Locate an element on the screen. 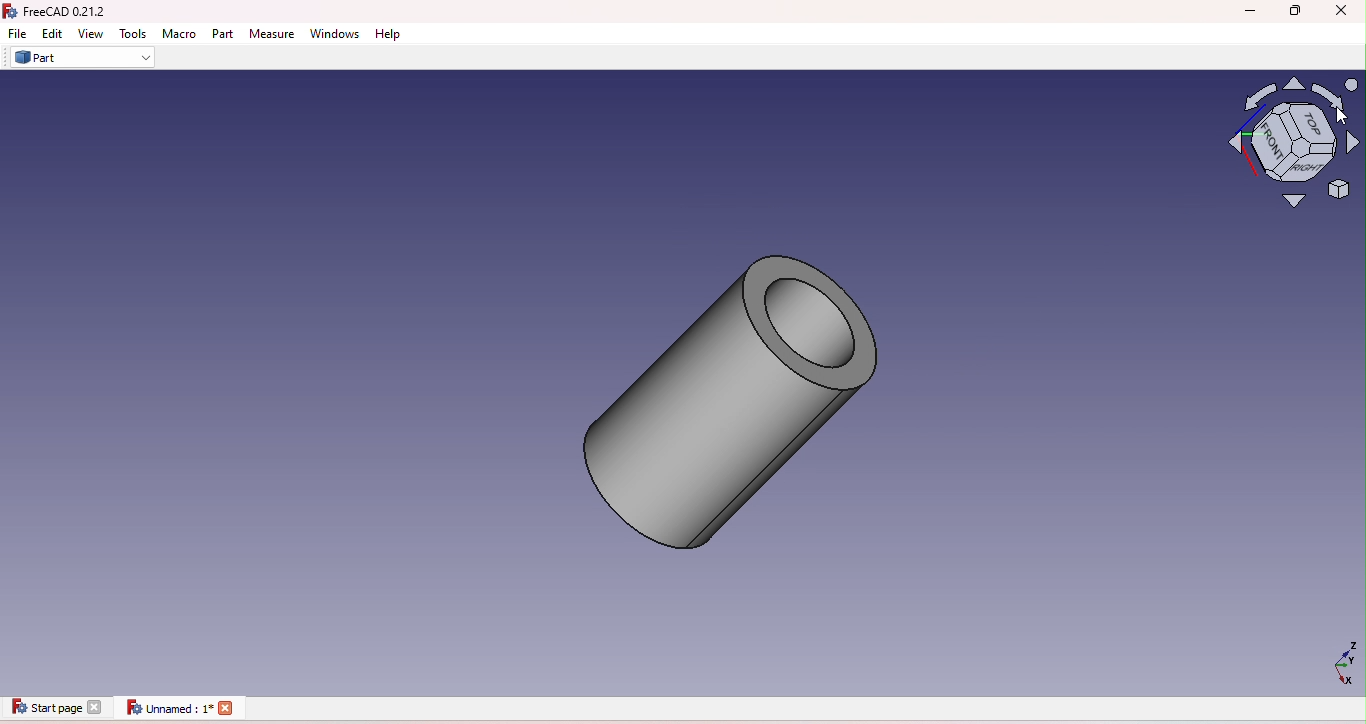 Image resolution: width=1366 pixels, height=724 pixels. Tools is located at coordinates (131, 34).